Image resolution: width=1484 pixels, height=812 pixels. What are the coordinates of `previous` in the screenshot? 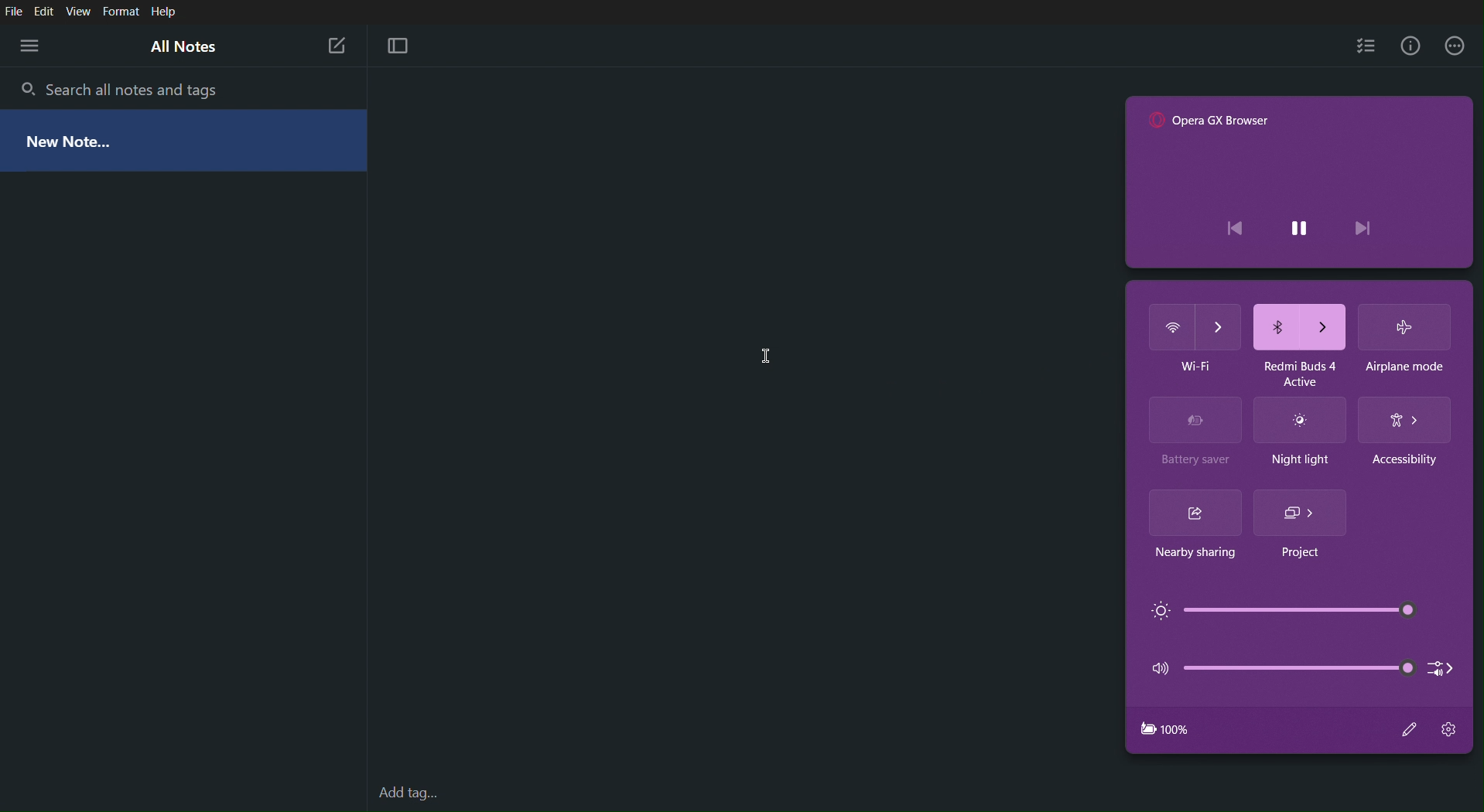 It's located at (1240, 229).